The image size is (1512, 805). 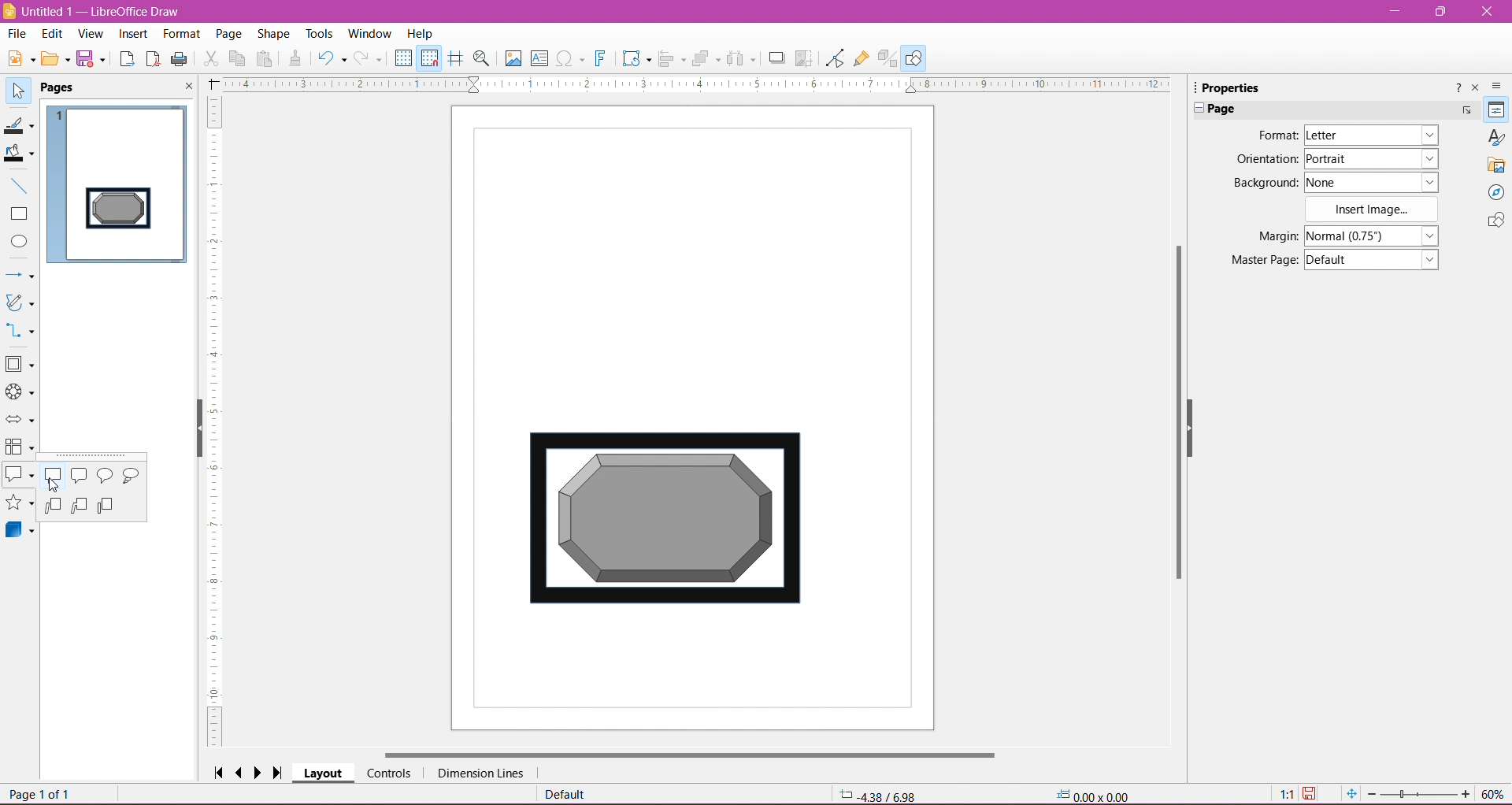 What do you see at coordinates (1375, 260) in the screenshot?
I see `Select master page` at bounding box center [1375, 260].